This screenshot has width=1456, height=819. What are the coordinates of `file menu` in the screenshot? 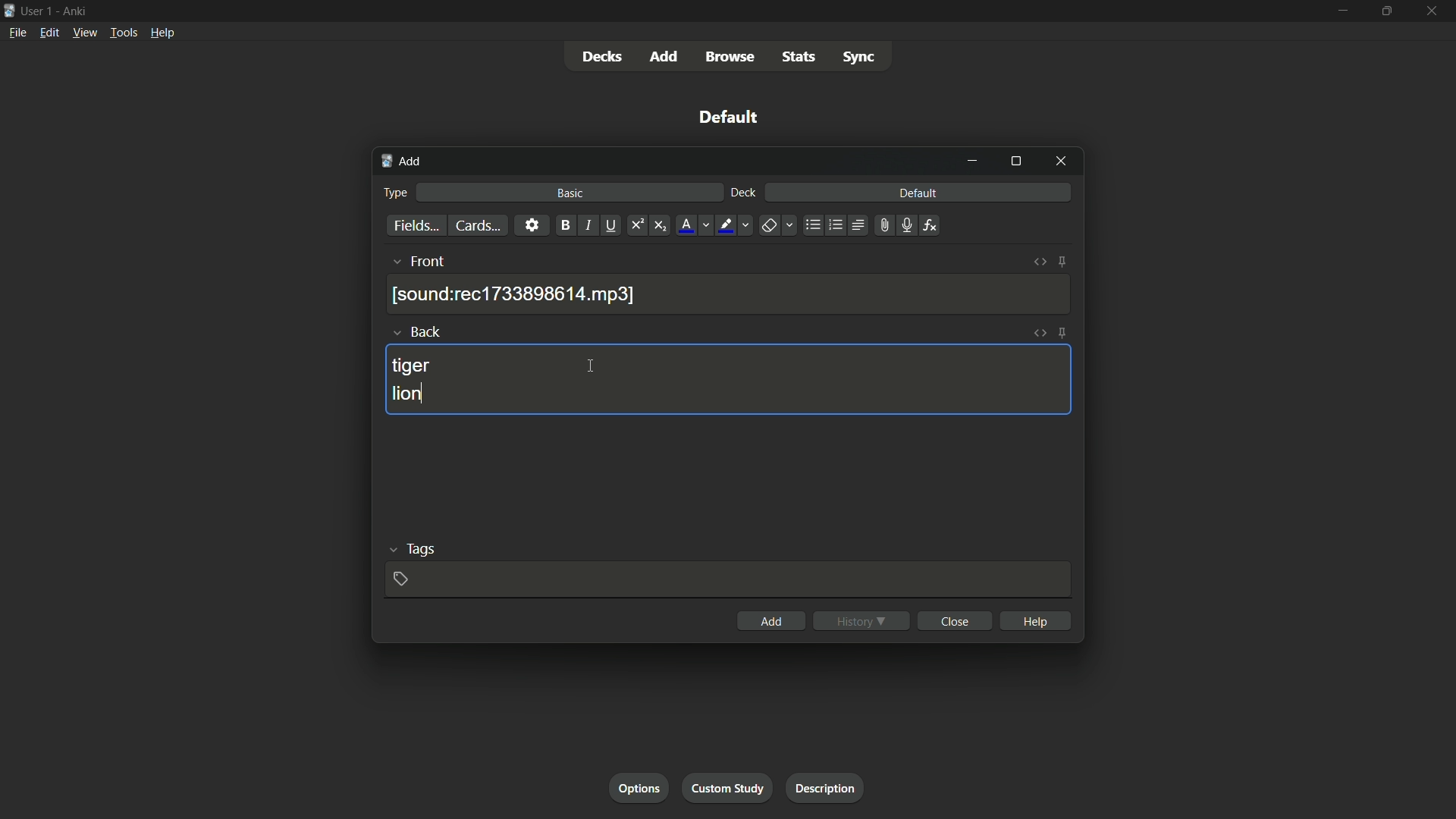 It's located at (18, 32).